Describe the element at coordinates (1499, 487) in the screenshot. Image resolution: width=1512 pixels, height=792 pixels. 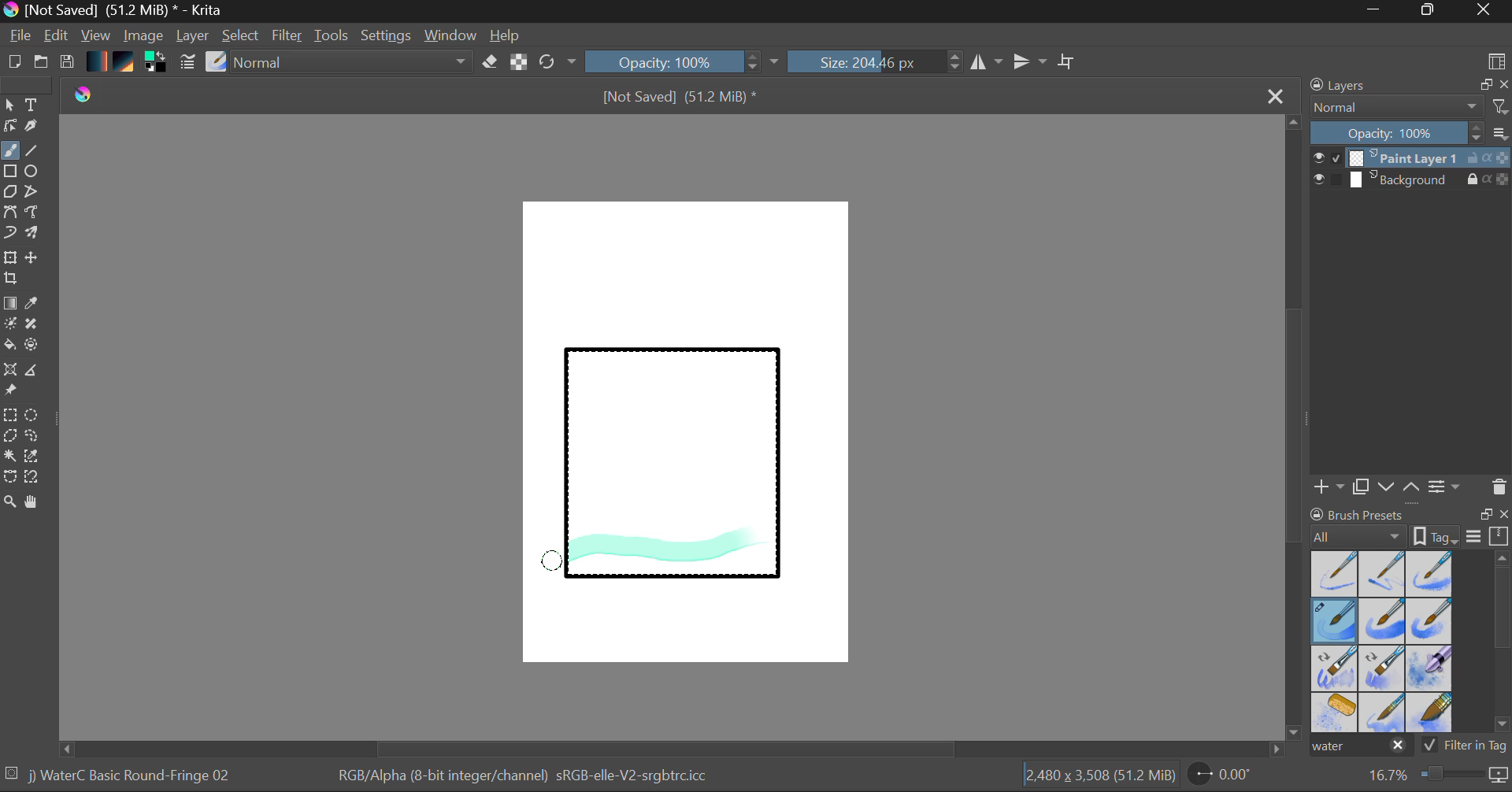
I see `Delete Layer` at that location.